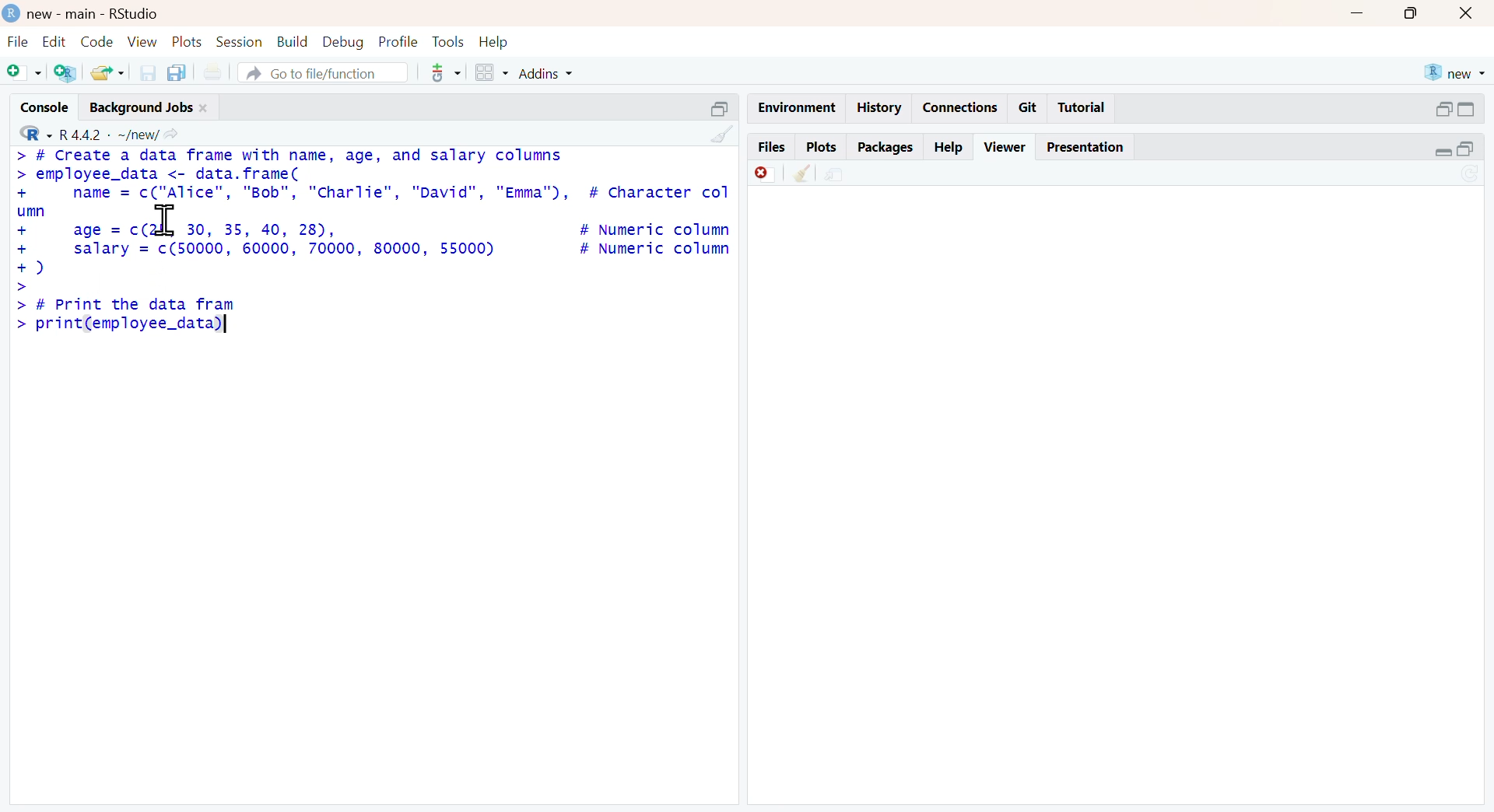  Describe the element at coordinates (23, 75) in the screenshot. I see `New file` at that location.